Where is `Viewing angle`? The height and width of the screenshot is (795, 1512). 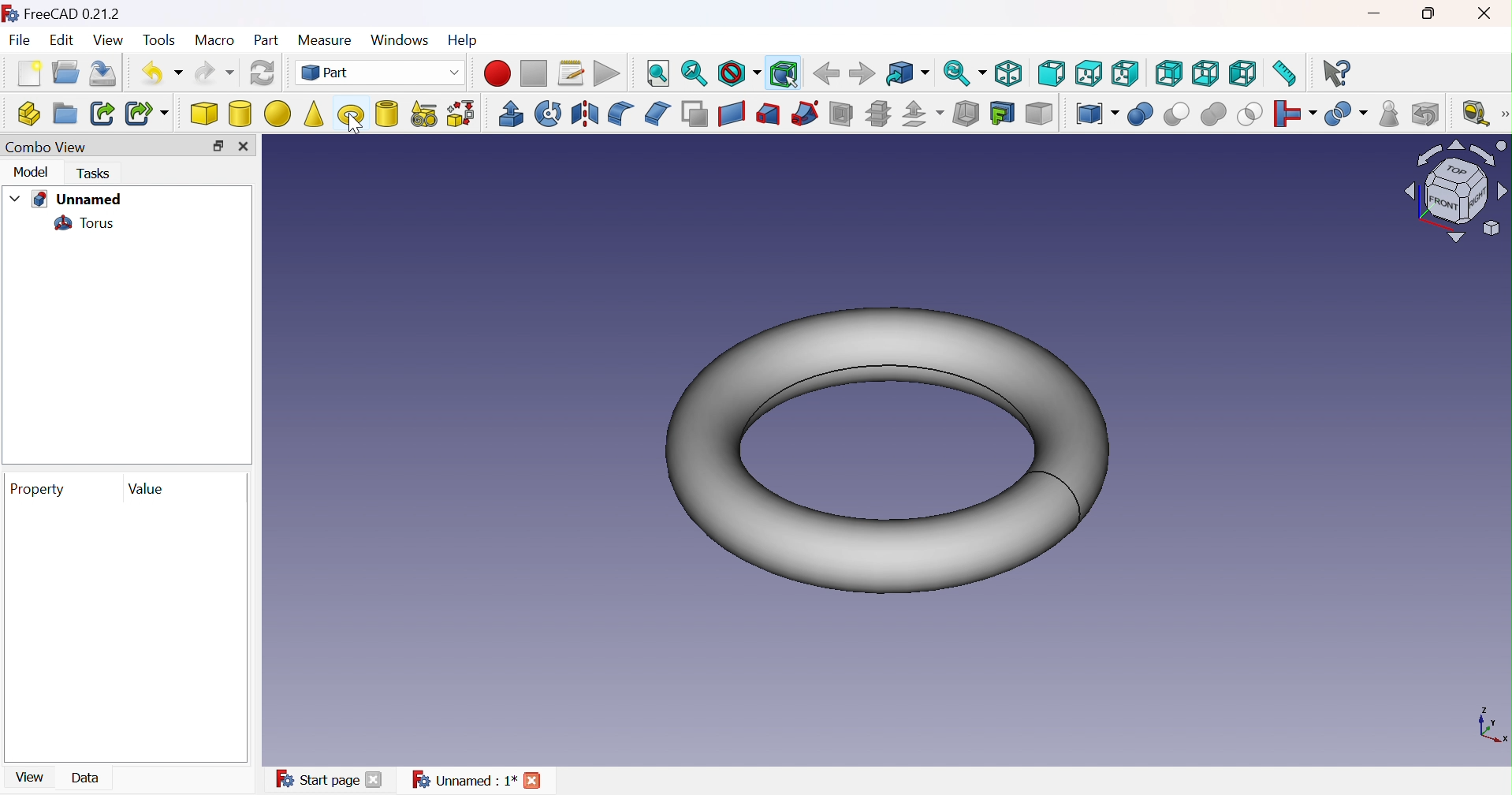
Viewing angle is located at coordinates (1455, 192).